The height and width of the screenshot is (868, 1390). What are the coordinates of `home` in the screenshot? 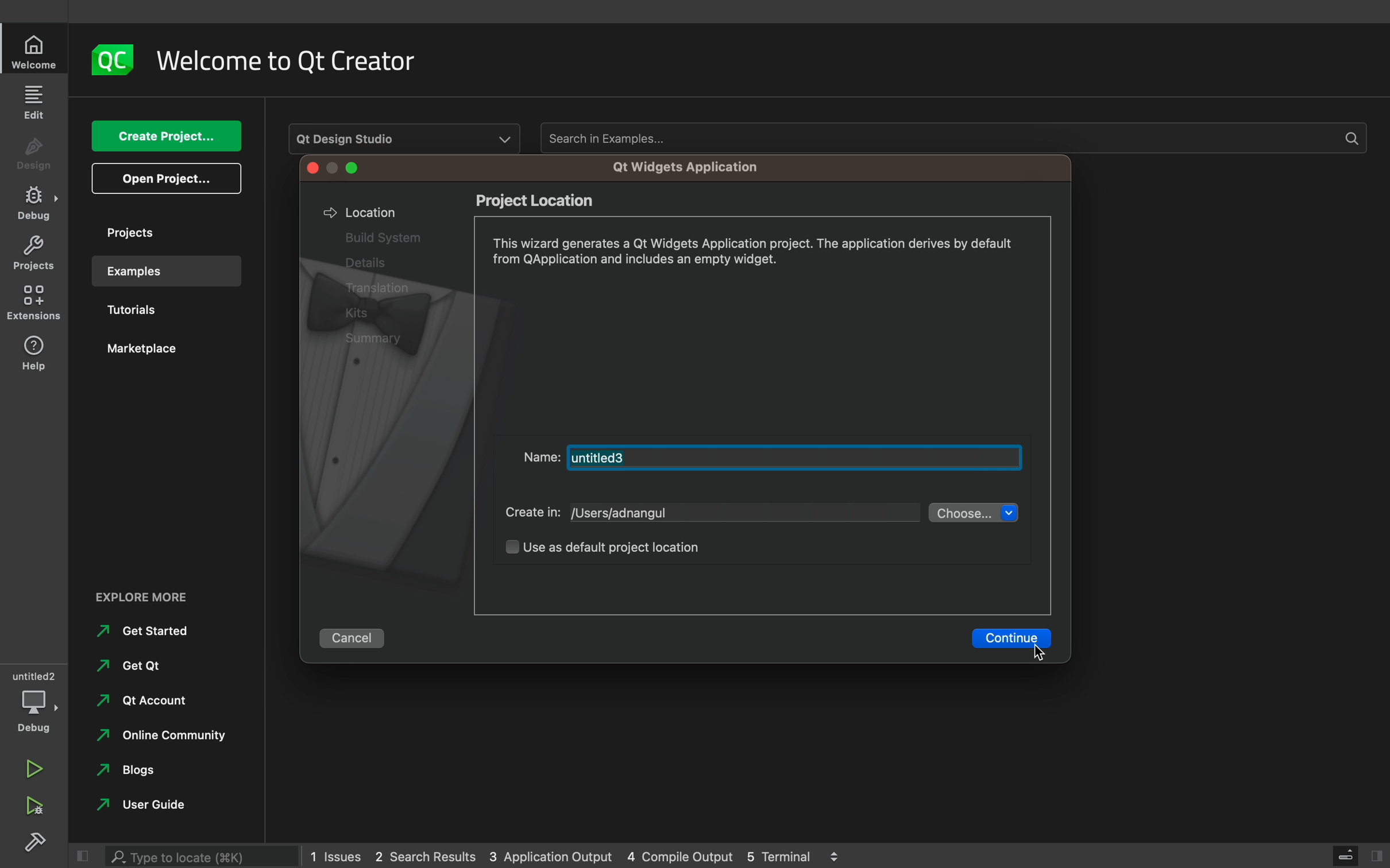 It's located at (36, 52).